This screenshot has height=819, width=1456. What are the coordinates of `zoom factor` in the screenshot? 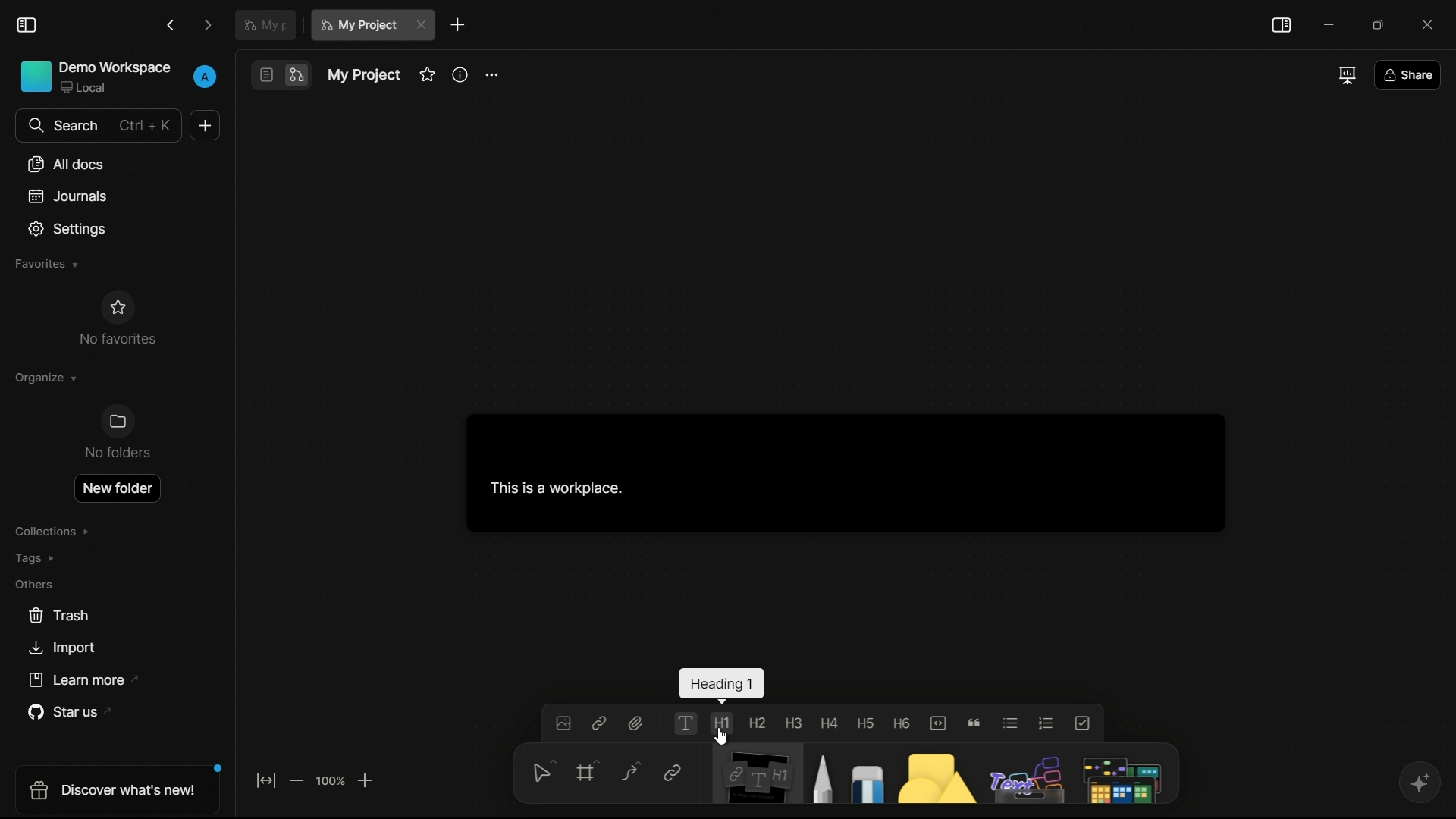 It's located at (330, 782).